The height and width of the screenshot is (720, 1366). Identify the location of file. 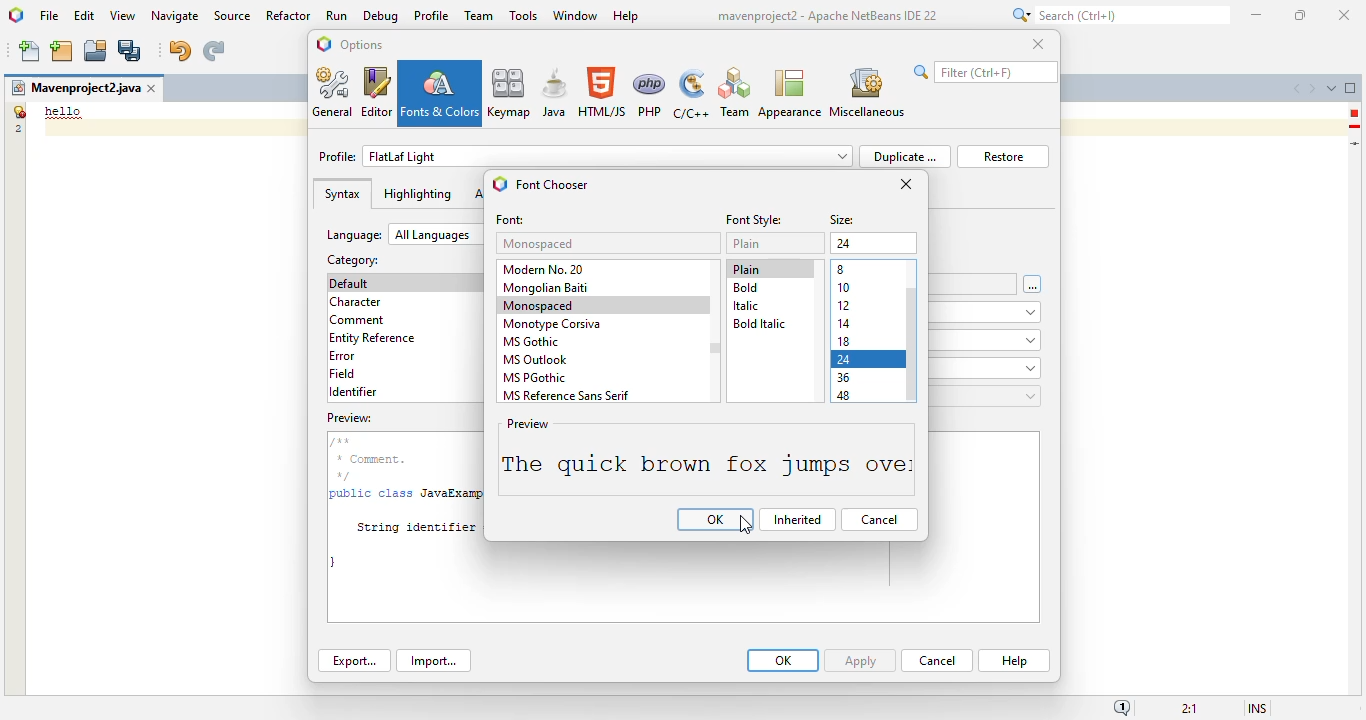
(49, 17).